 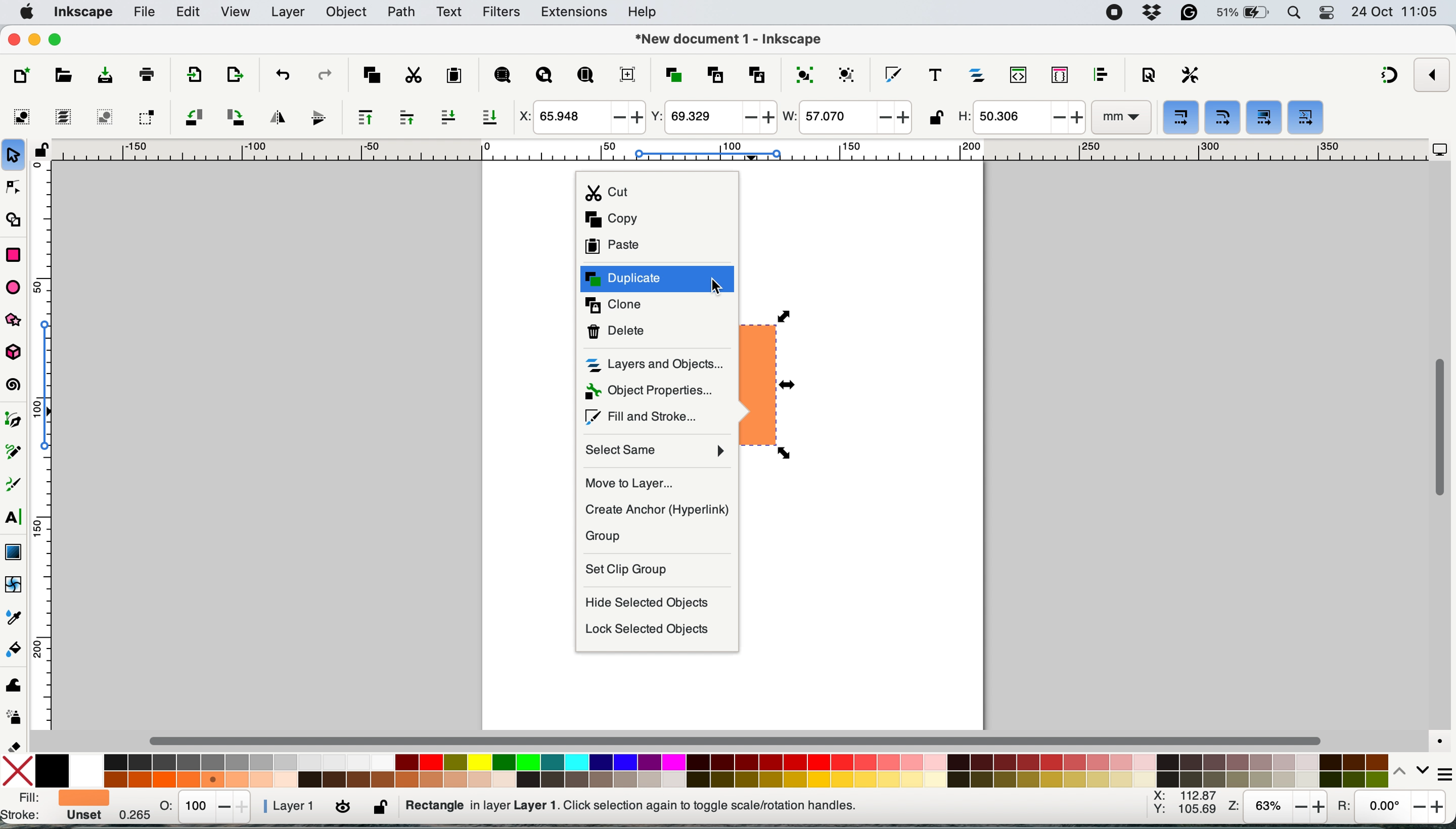 I want to click on create anchor, so click(x=658, y=510).